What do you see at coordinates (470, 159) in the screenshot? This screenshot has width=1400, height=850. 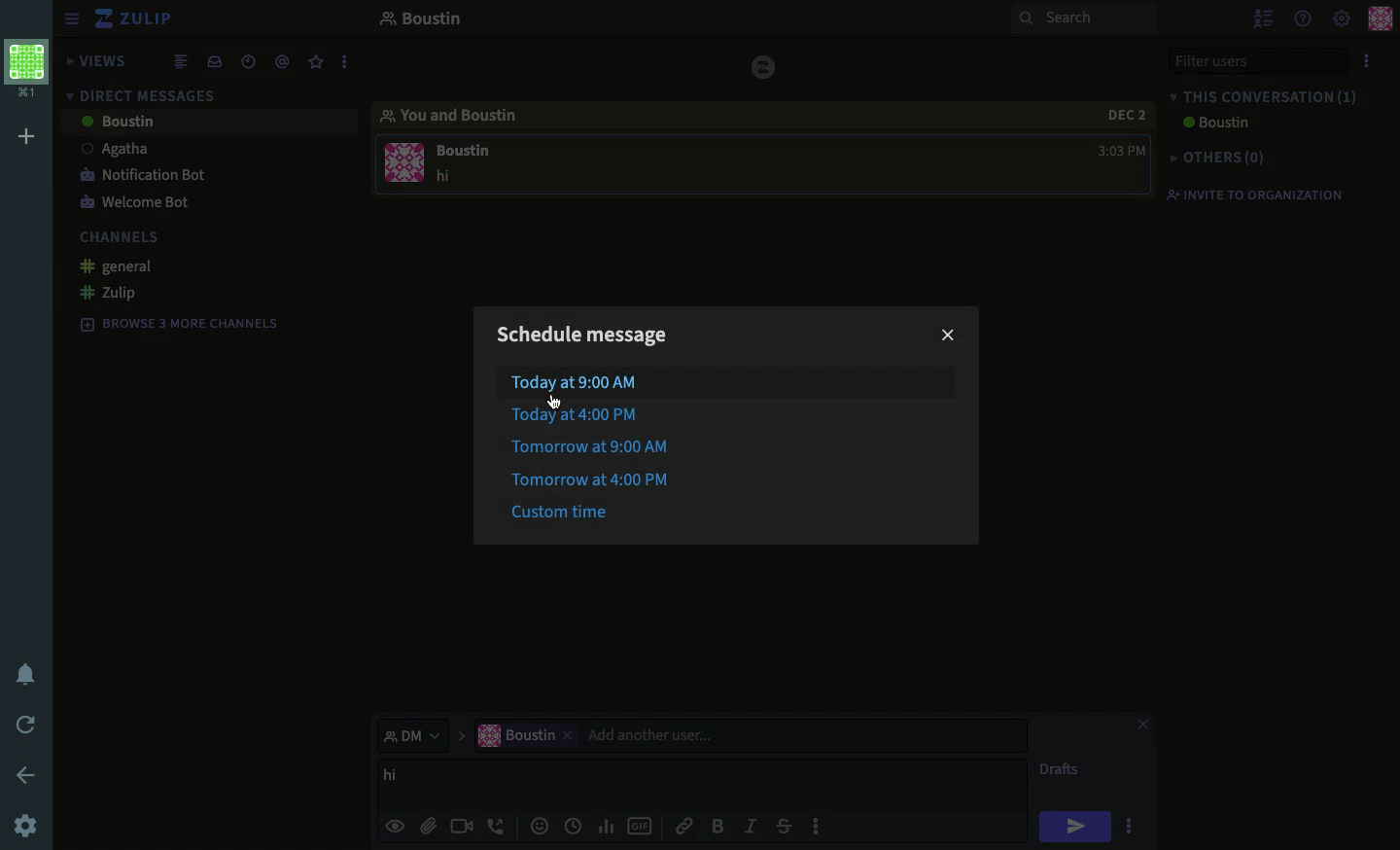 I see `message` at bounding box center [470, 159].